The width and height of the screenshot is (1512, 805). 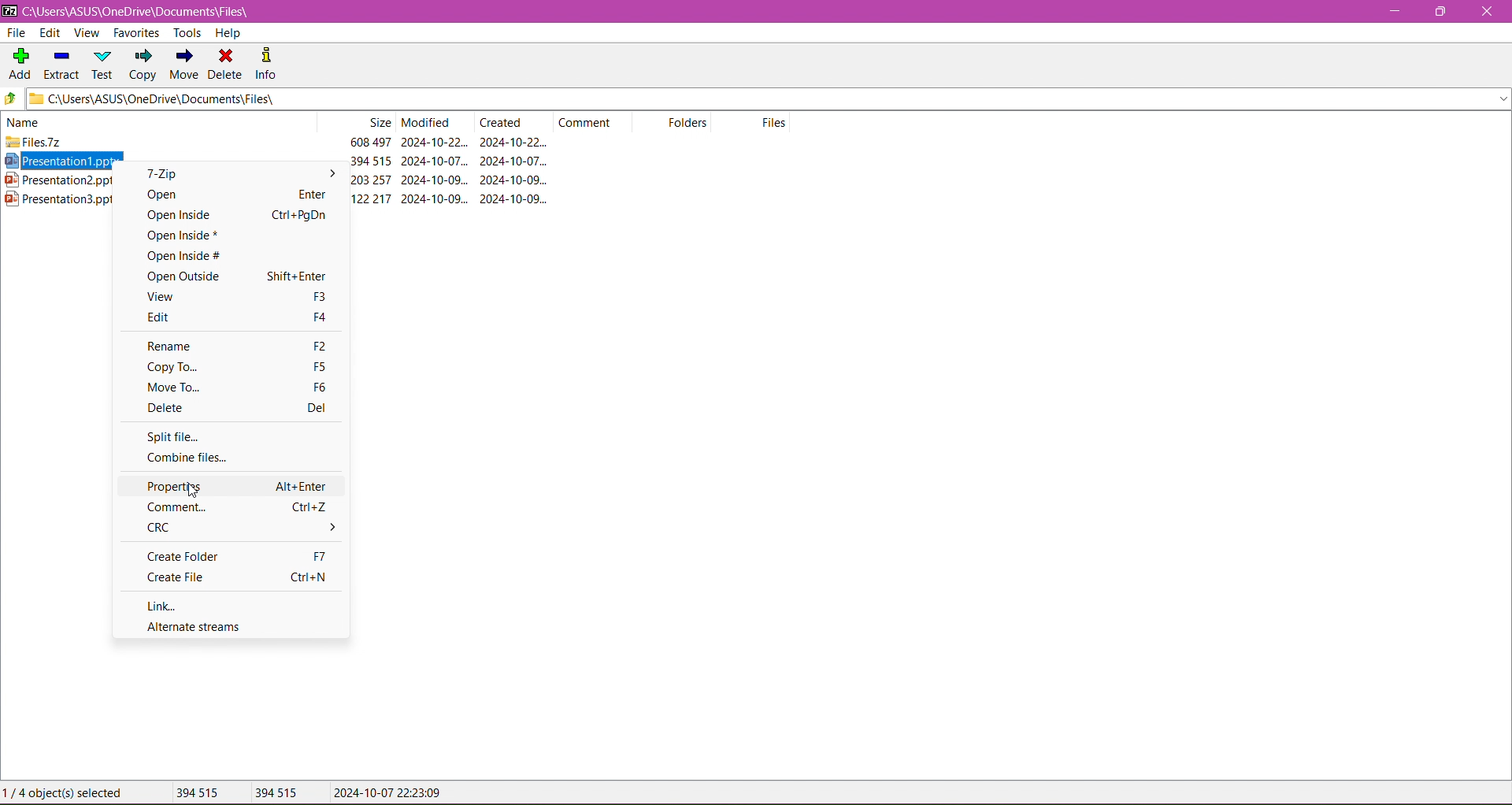 What do you see at coordinates (232, 408) in the screenshot?
I see `Delete` at bounding box center [232, 408].